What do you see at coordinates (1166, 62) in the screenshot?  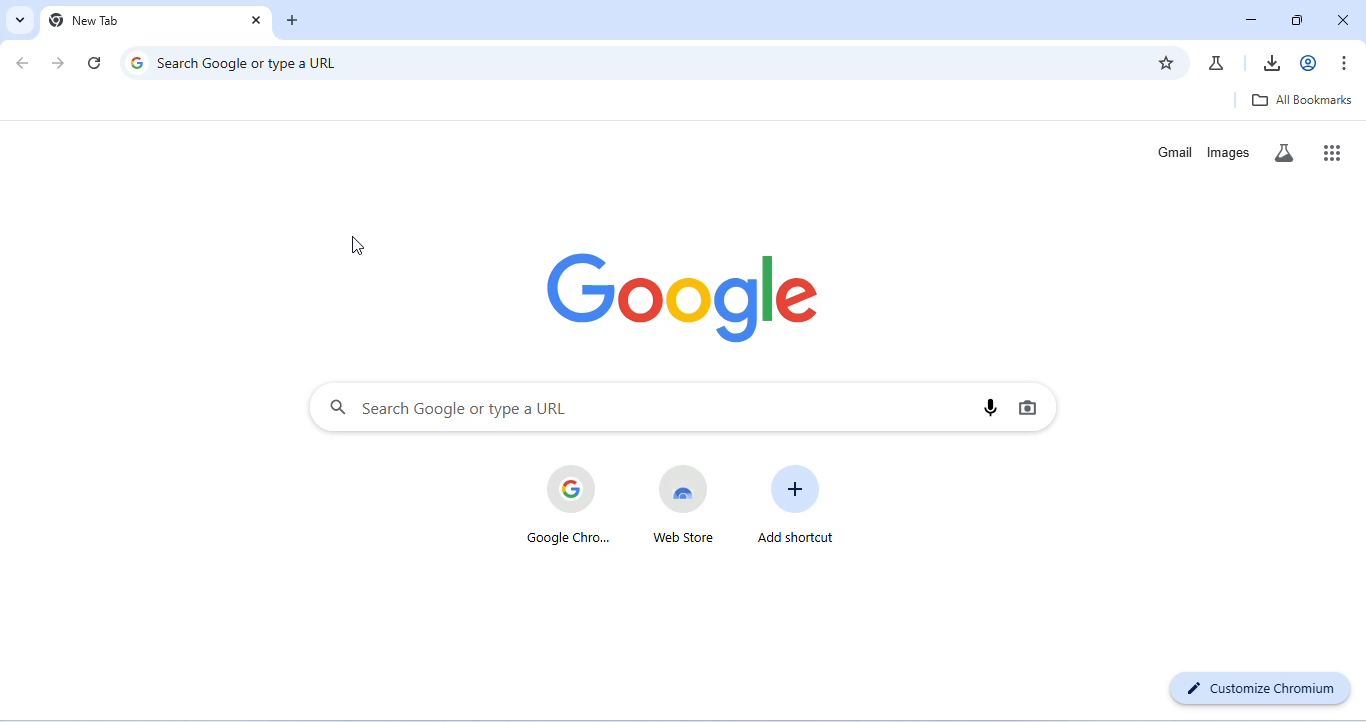 I see `add bookmark` at bounding box center [1166, 62].